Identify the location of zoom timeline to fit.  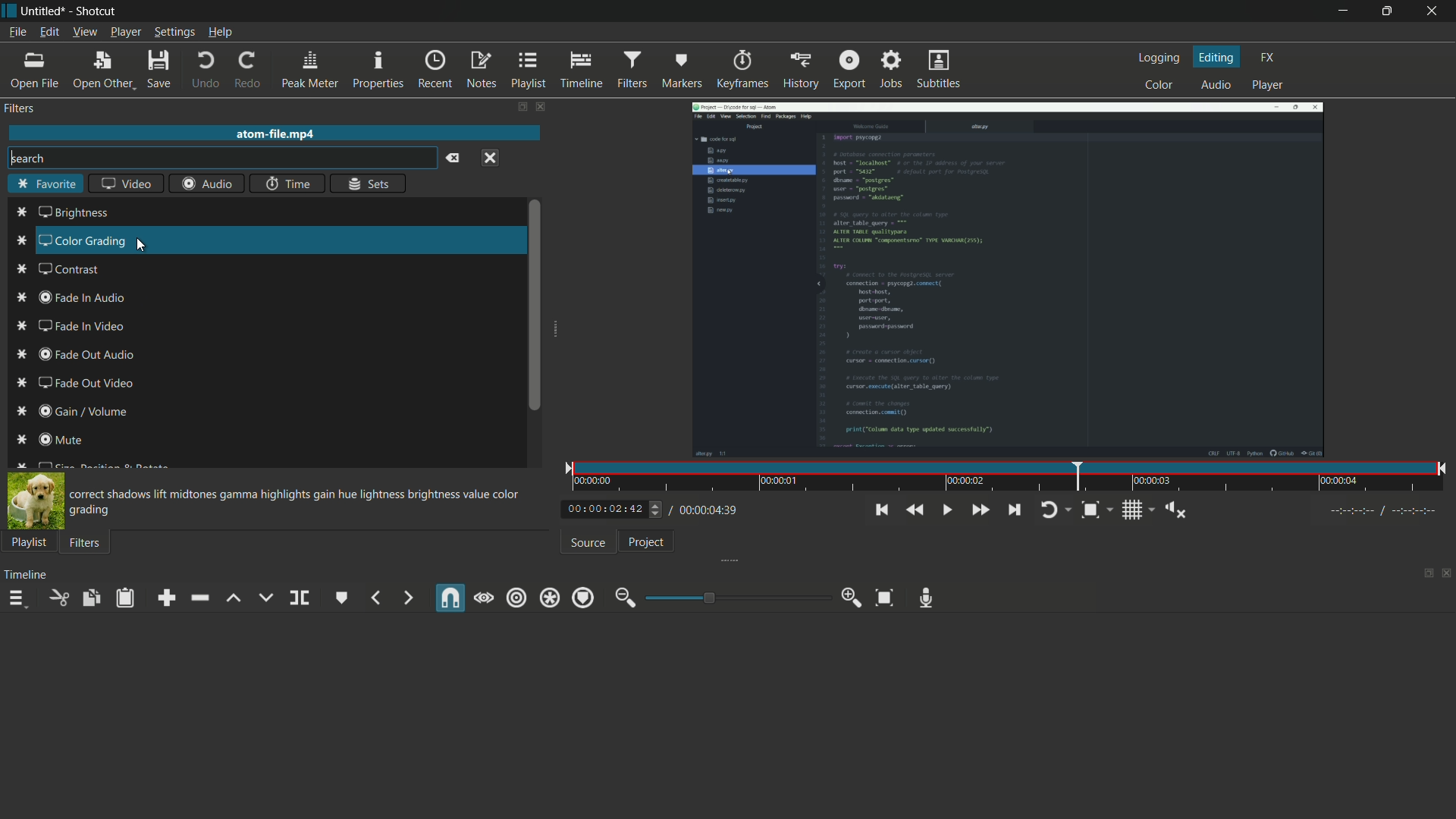
(884, 598).